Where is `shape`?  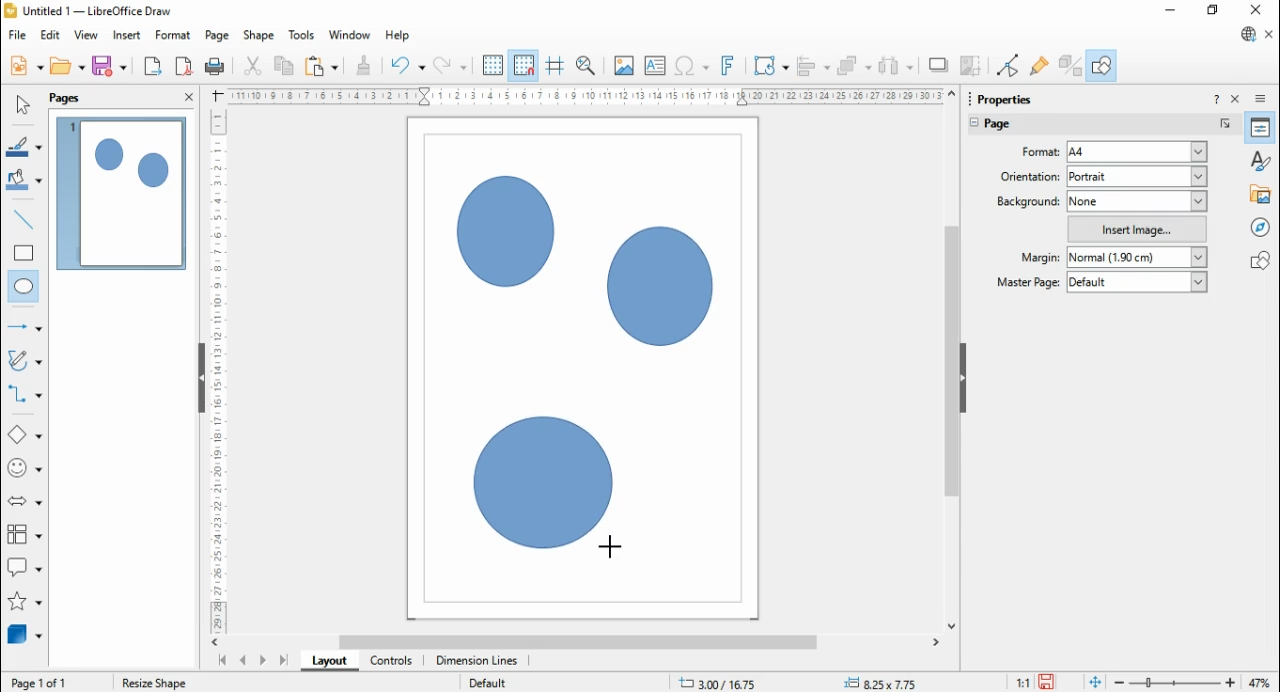 shape is located at coordinates (258, 36).